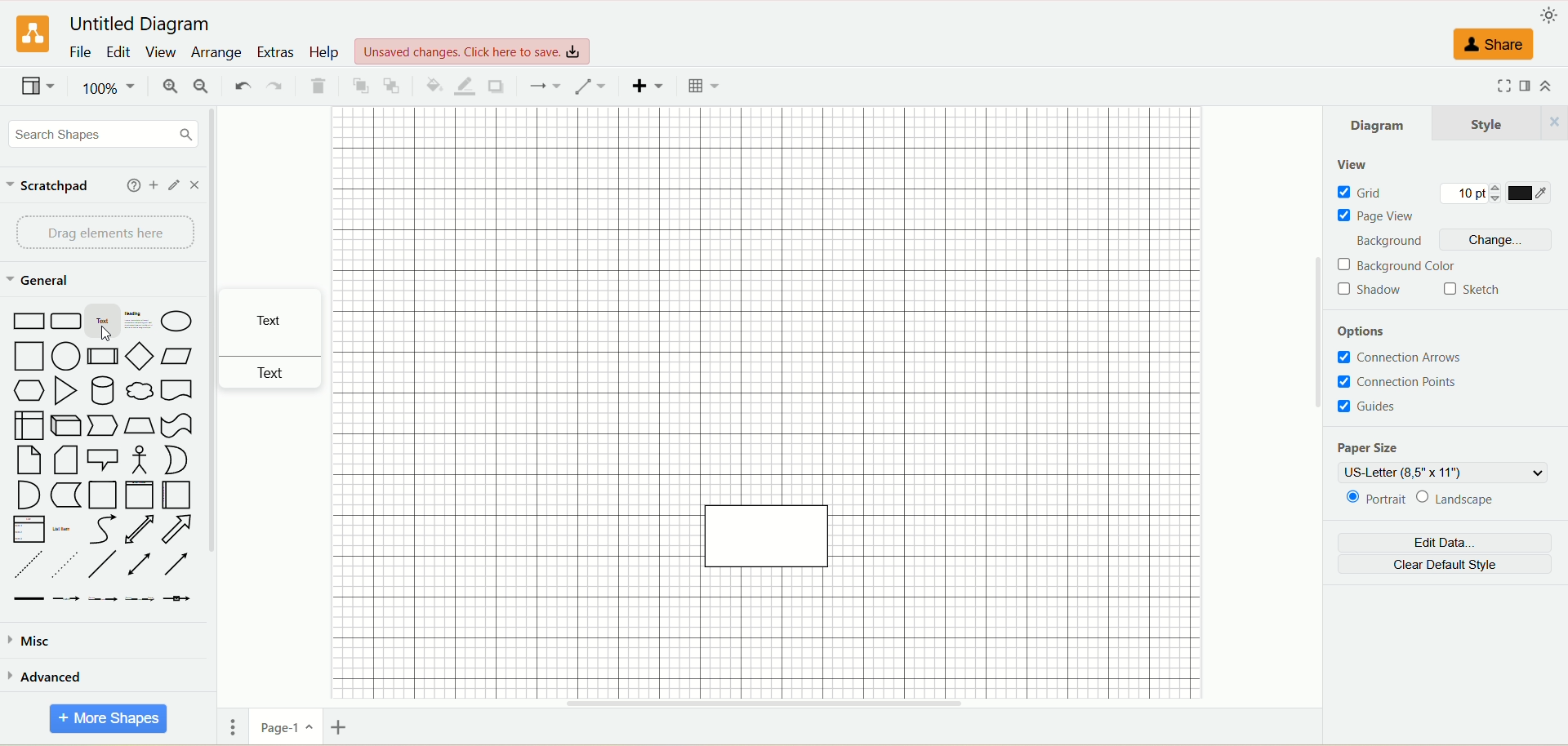 This screenshot has width=1568, height=746. I want to click on text, so click(474, 48).